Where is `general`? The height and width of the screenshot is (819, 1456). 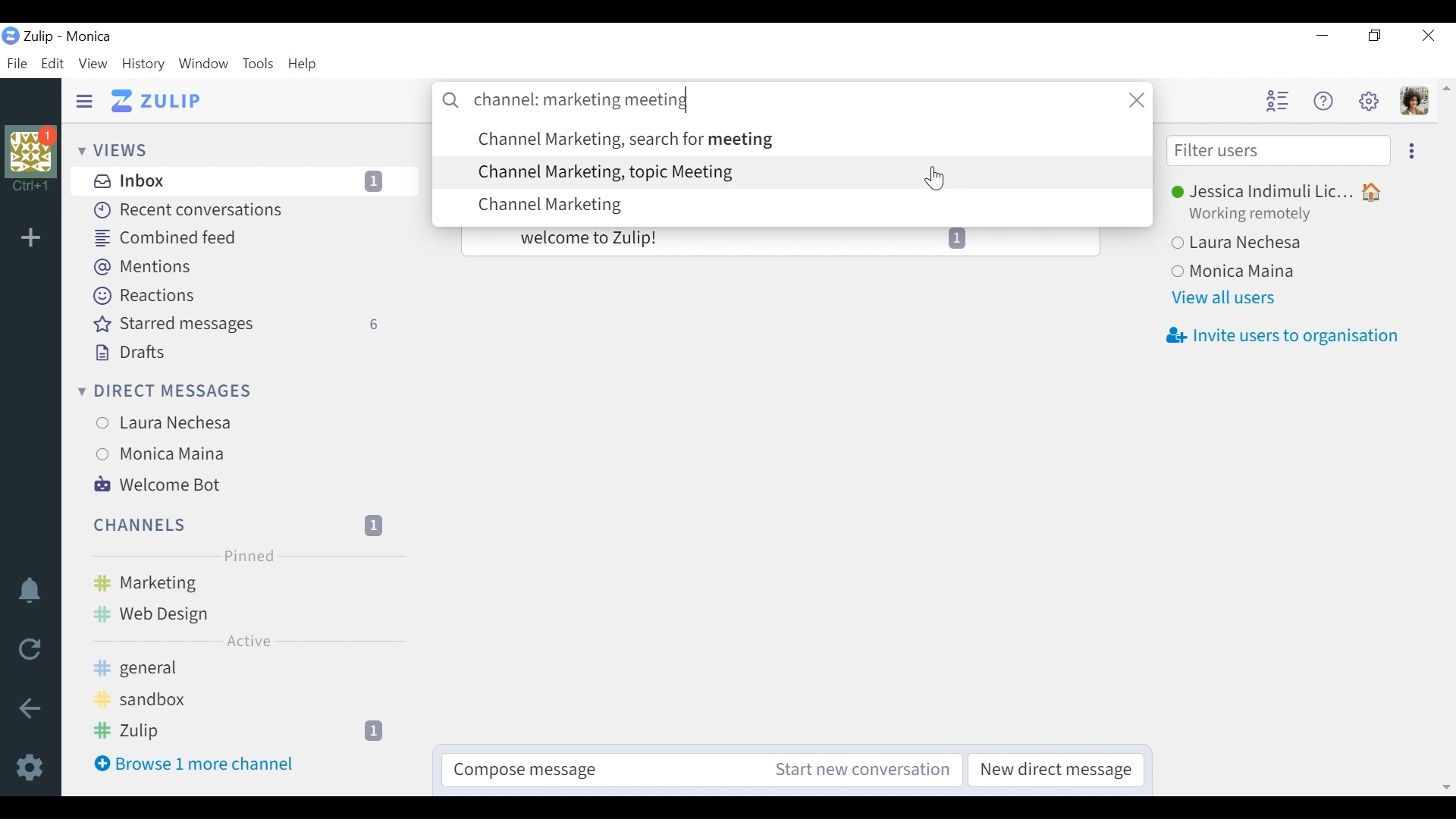
general is located at coordinates (253, 665).